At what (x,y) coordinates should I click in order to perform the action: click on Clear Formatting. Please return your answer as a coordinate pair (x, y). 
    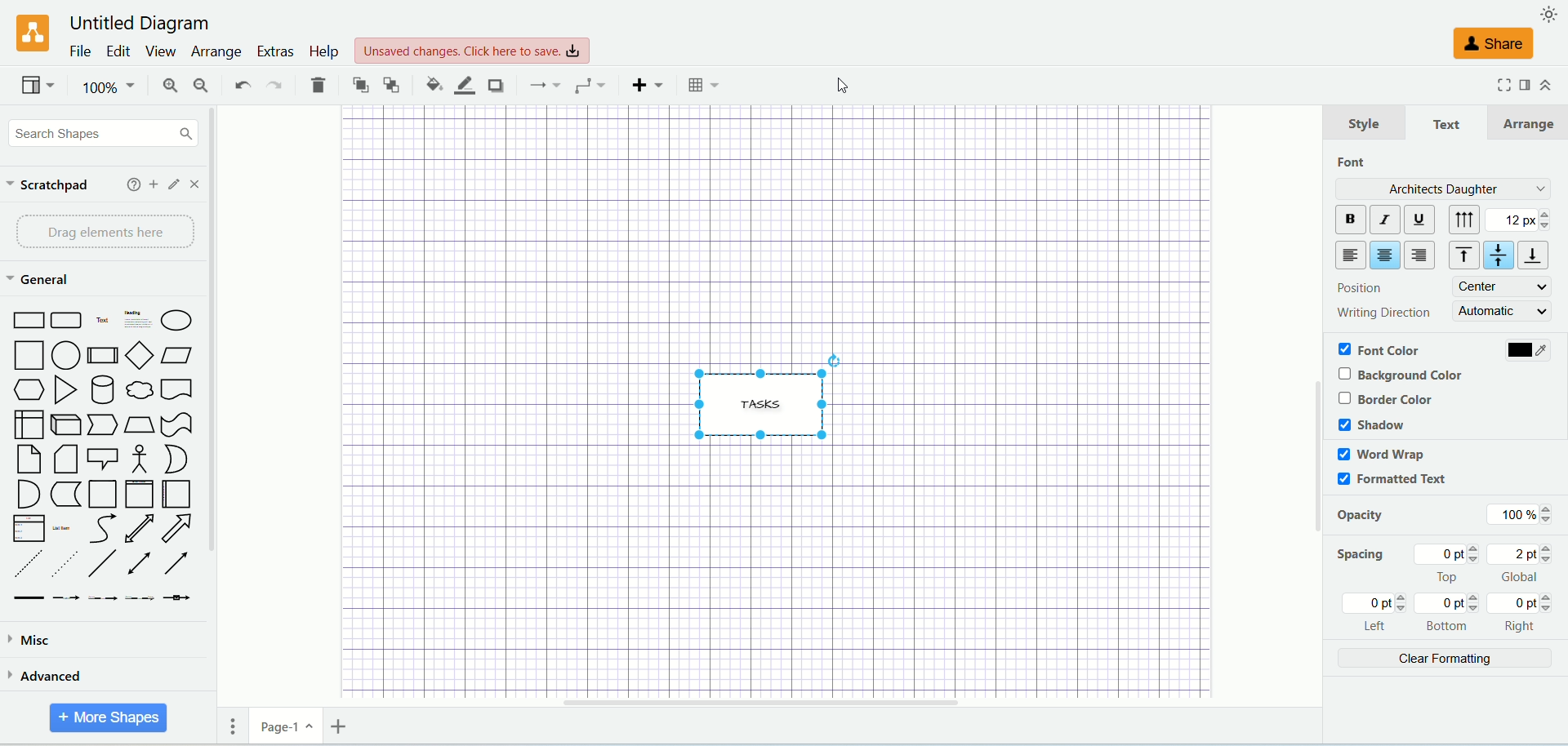
    Looking at the image, I should click on (1443, 661).